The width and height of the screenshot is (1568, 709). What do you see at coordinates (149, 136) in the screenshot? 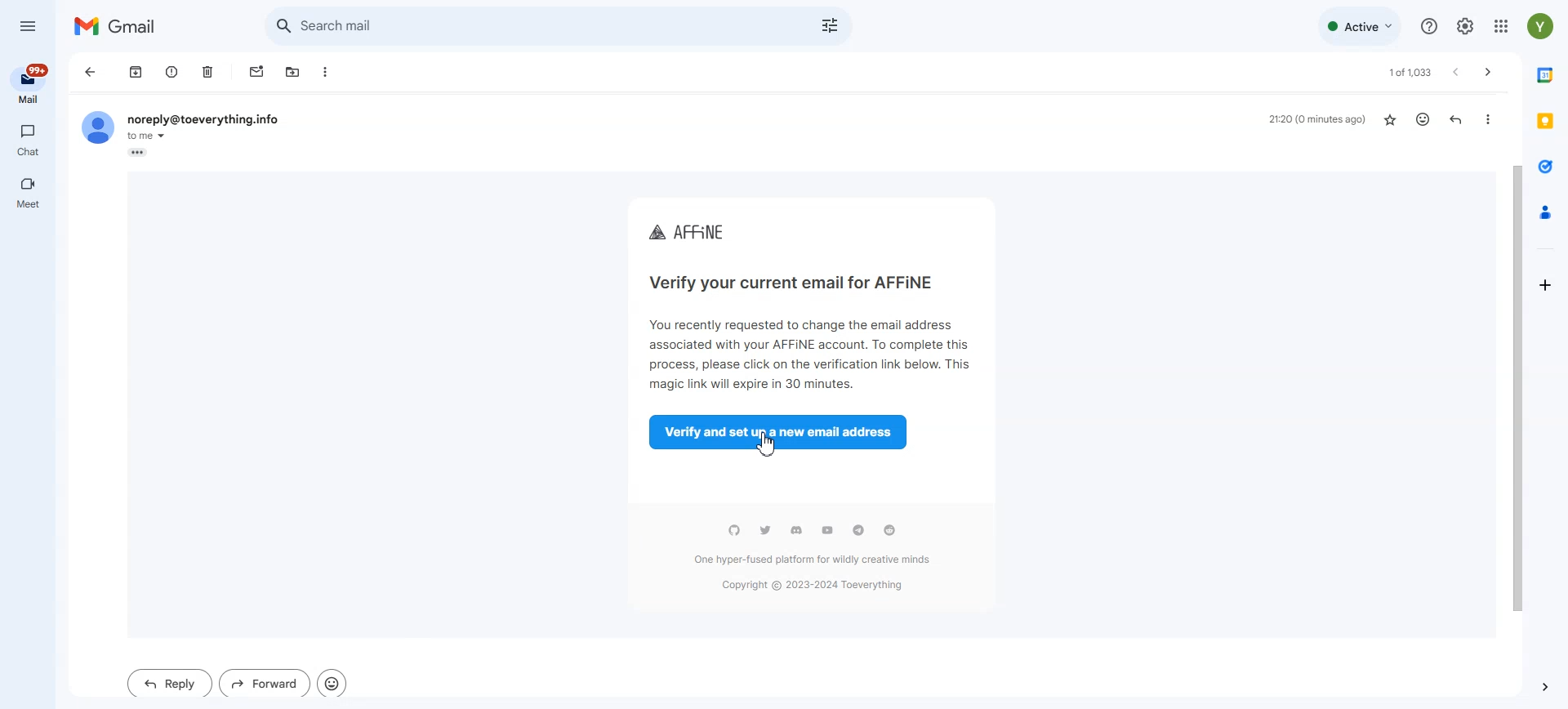
I see `Drop down box to email ID` at bounding box center [149, 136].